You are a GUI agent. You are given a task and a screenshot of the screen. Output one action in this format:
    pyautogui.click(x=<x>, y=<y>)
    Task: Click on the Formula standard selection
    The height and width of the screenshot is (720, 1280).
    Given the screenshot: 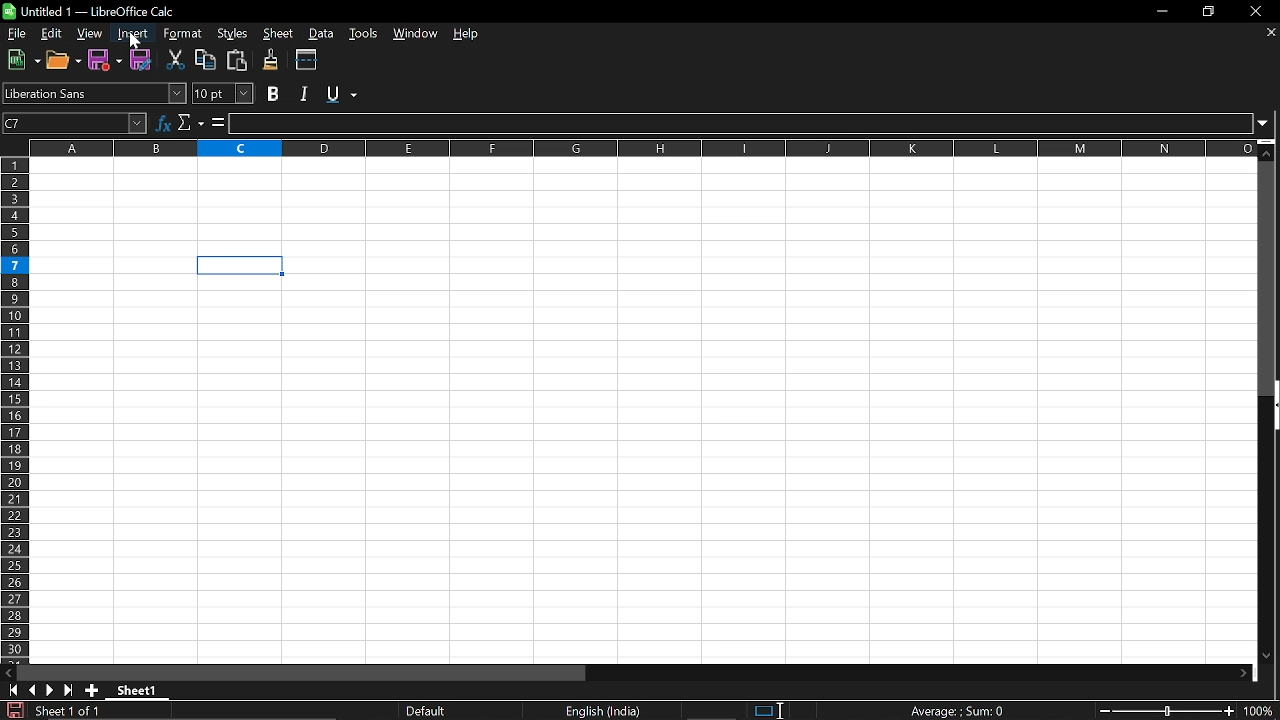 What is the action you would take?
    pyautogui.click(x=960, y=710)
    